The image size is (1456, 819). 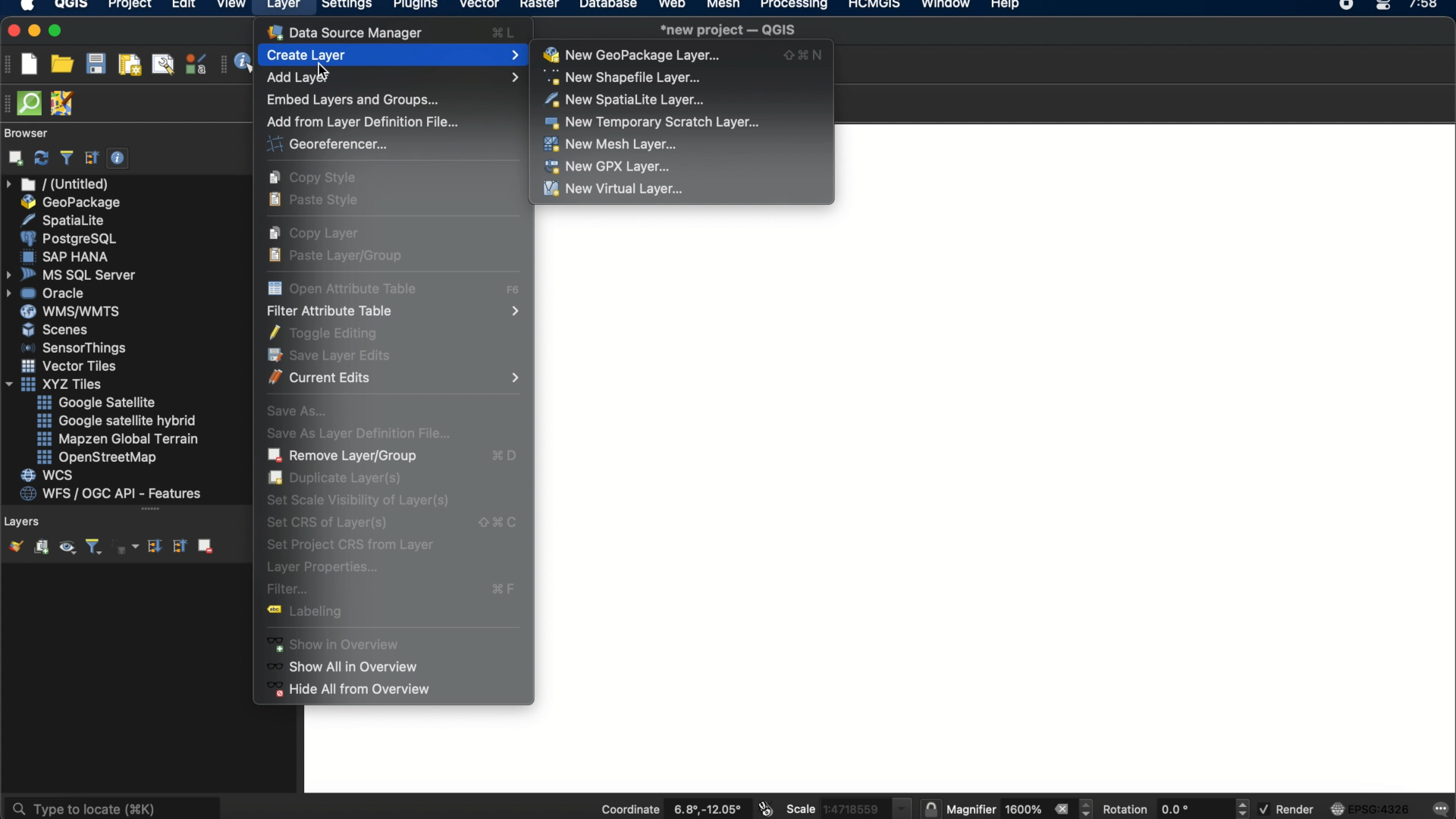 What do you see at coordinates (949, 6) in the screenshot?
I see `window` at bounding box center [949, 6].